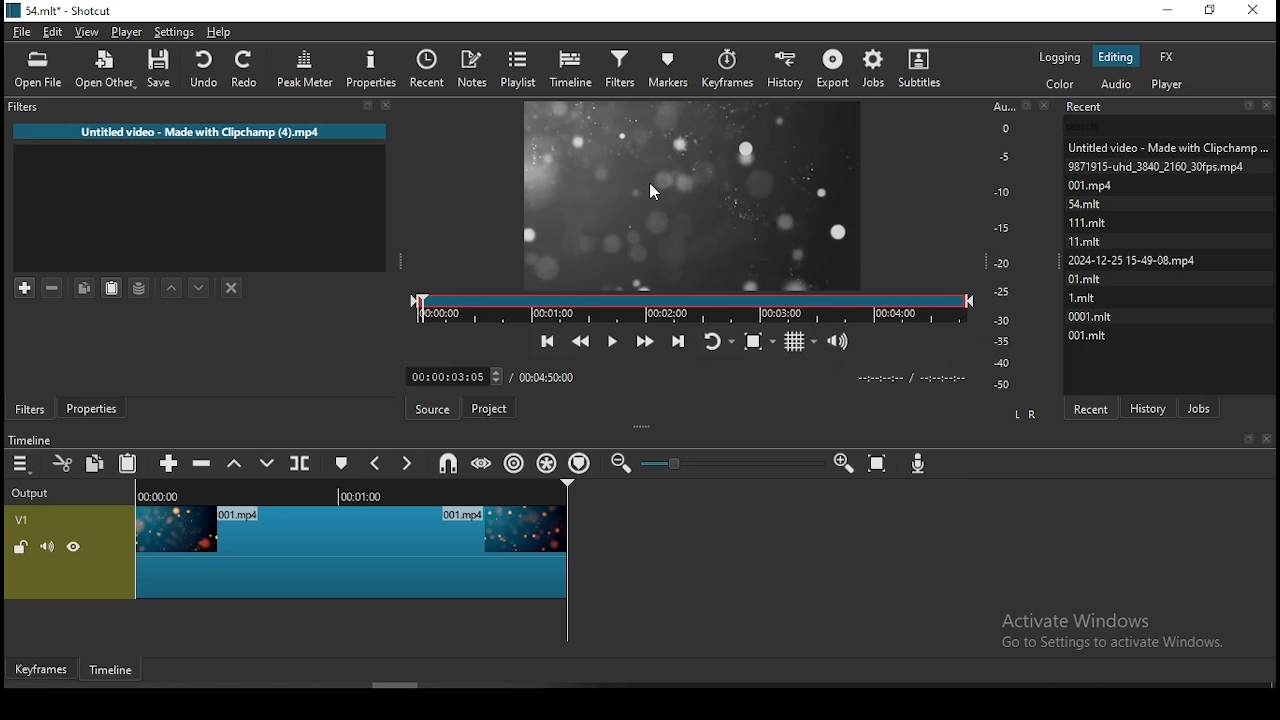 This screenshot has width=1280, height=720. What do you see at coordinates (571, 71) in the screenshot?
I see `timeline` at bounding box center [571, 71].